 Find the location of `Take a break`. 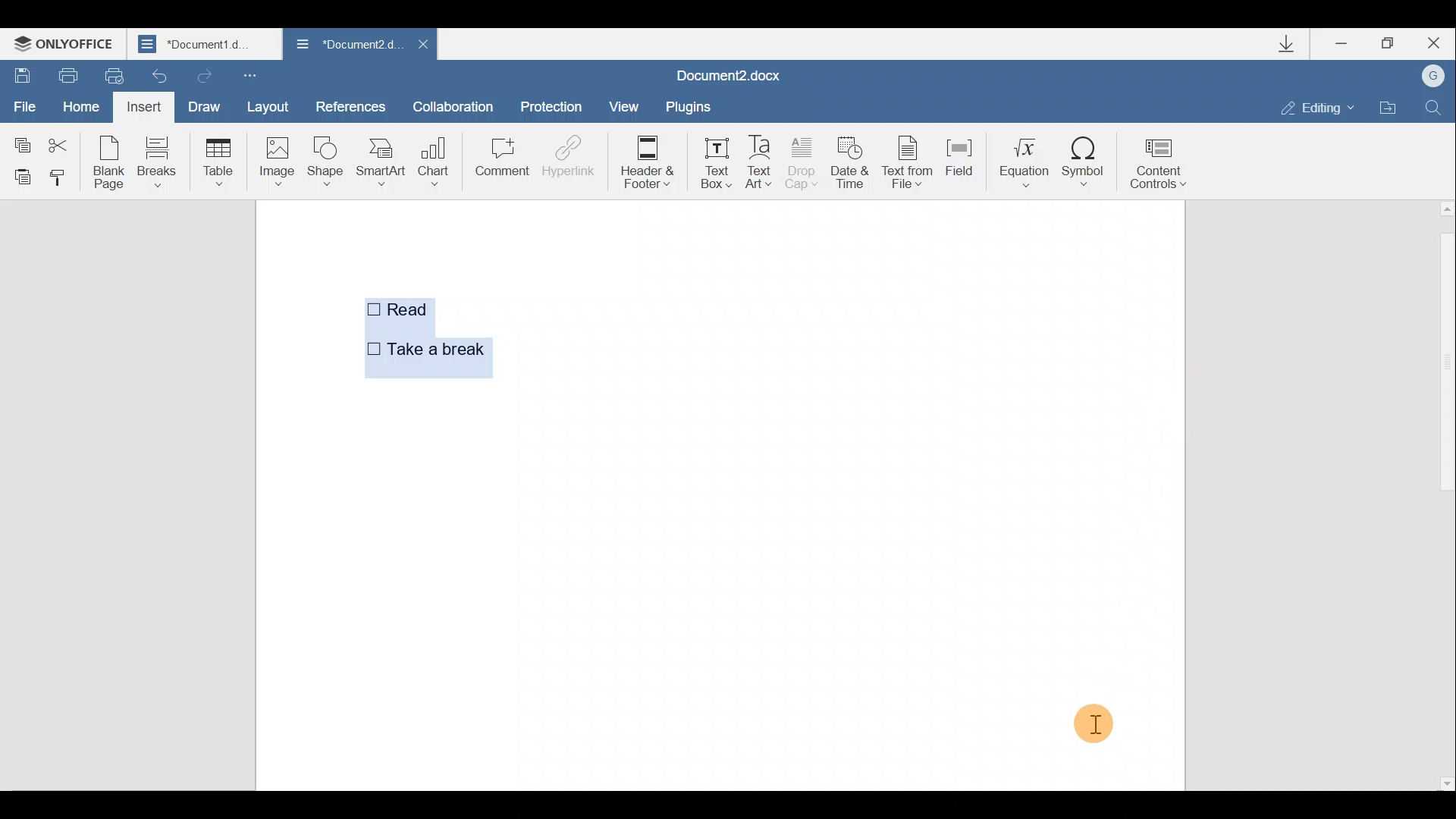

Take a break is located at coordinates (435, 350).